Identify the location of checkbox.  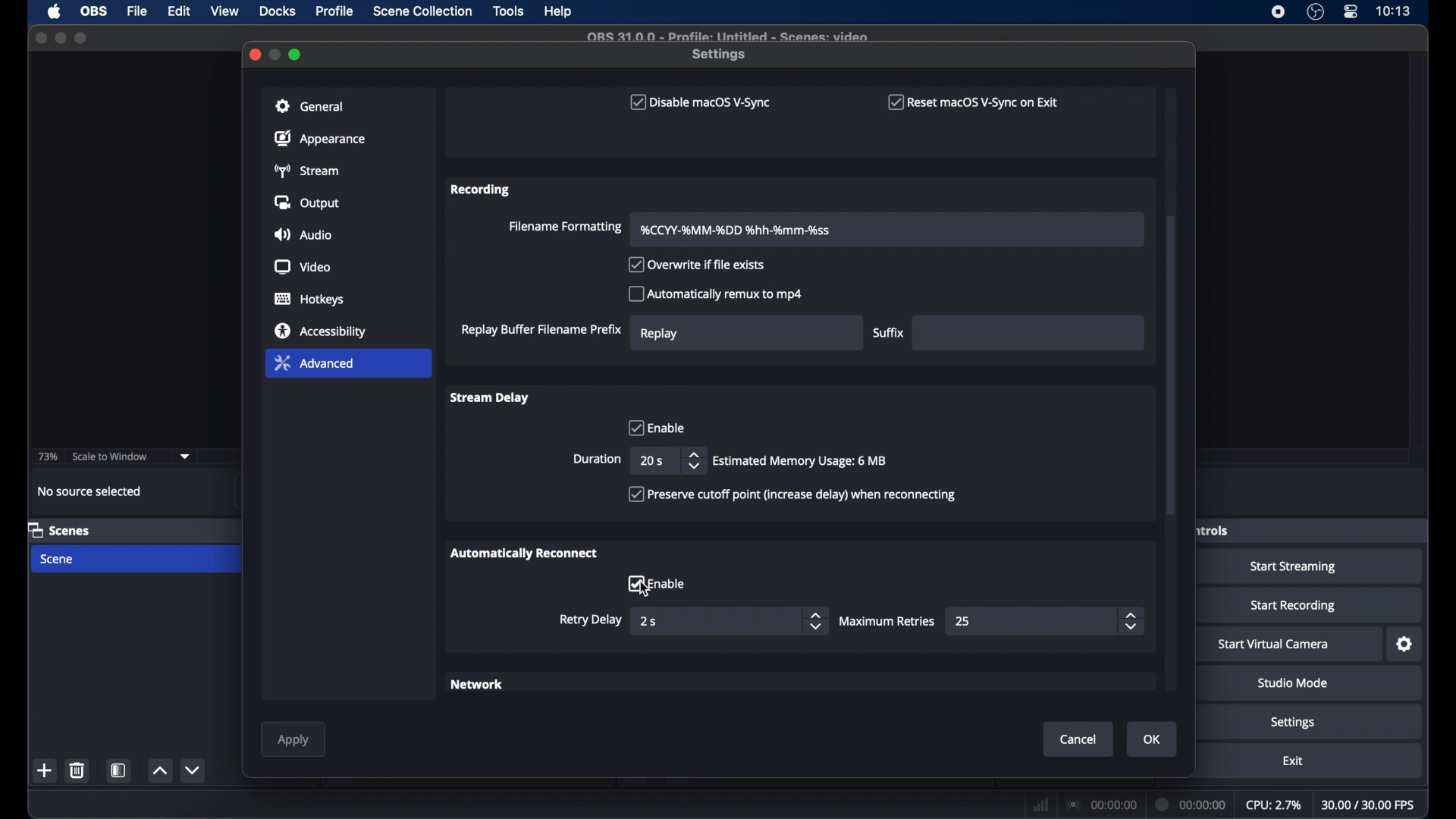
(656, 583).